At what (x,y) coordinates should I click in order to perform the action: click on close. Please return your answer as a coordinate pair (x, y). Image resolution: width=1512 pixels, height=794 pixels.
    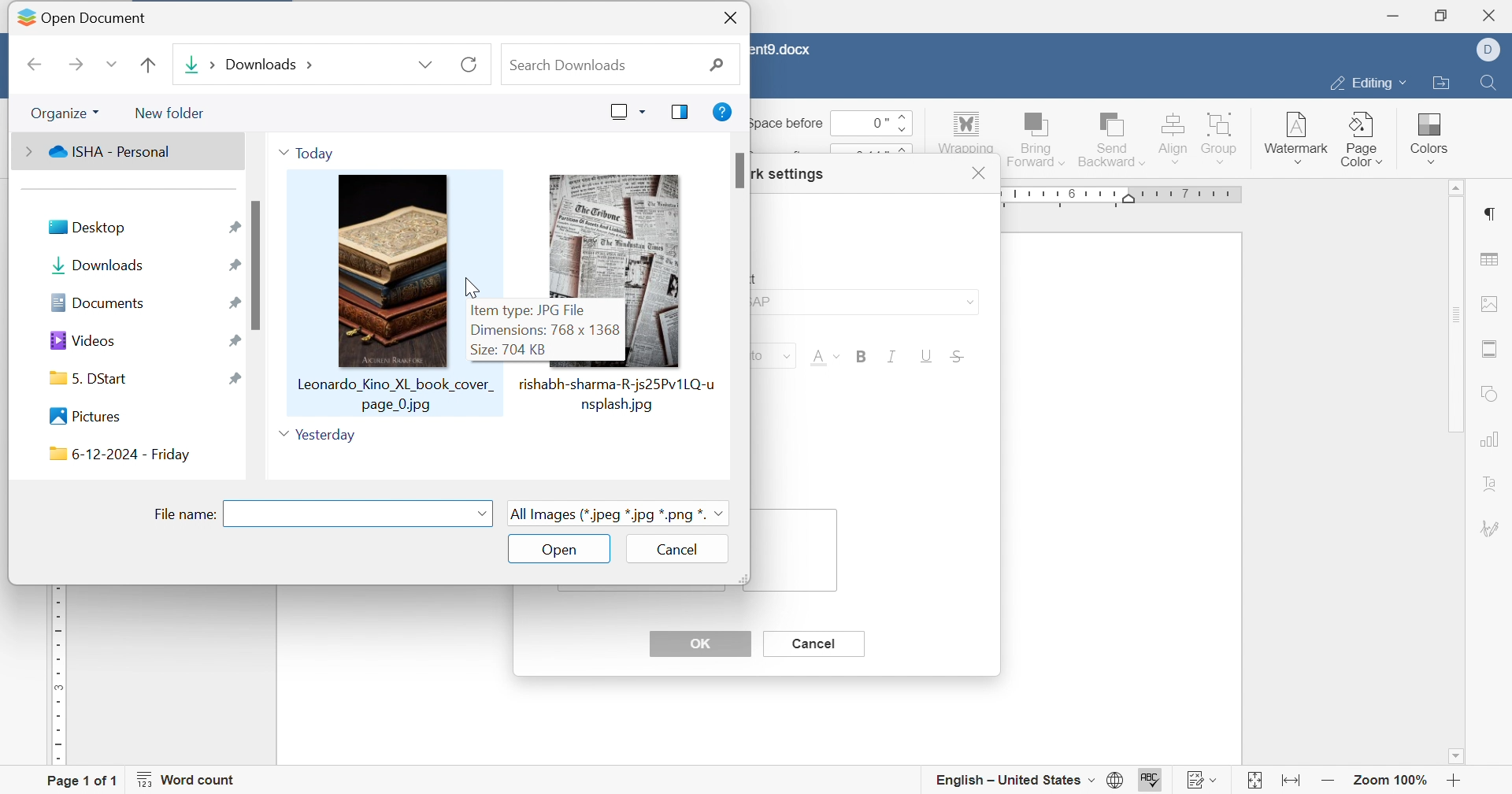
    Looking at the image, I should click on (980, 173).